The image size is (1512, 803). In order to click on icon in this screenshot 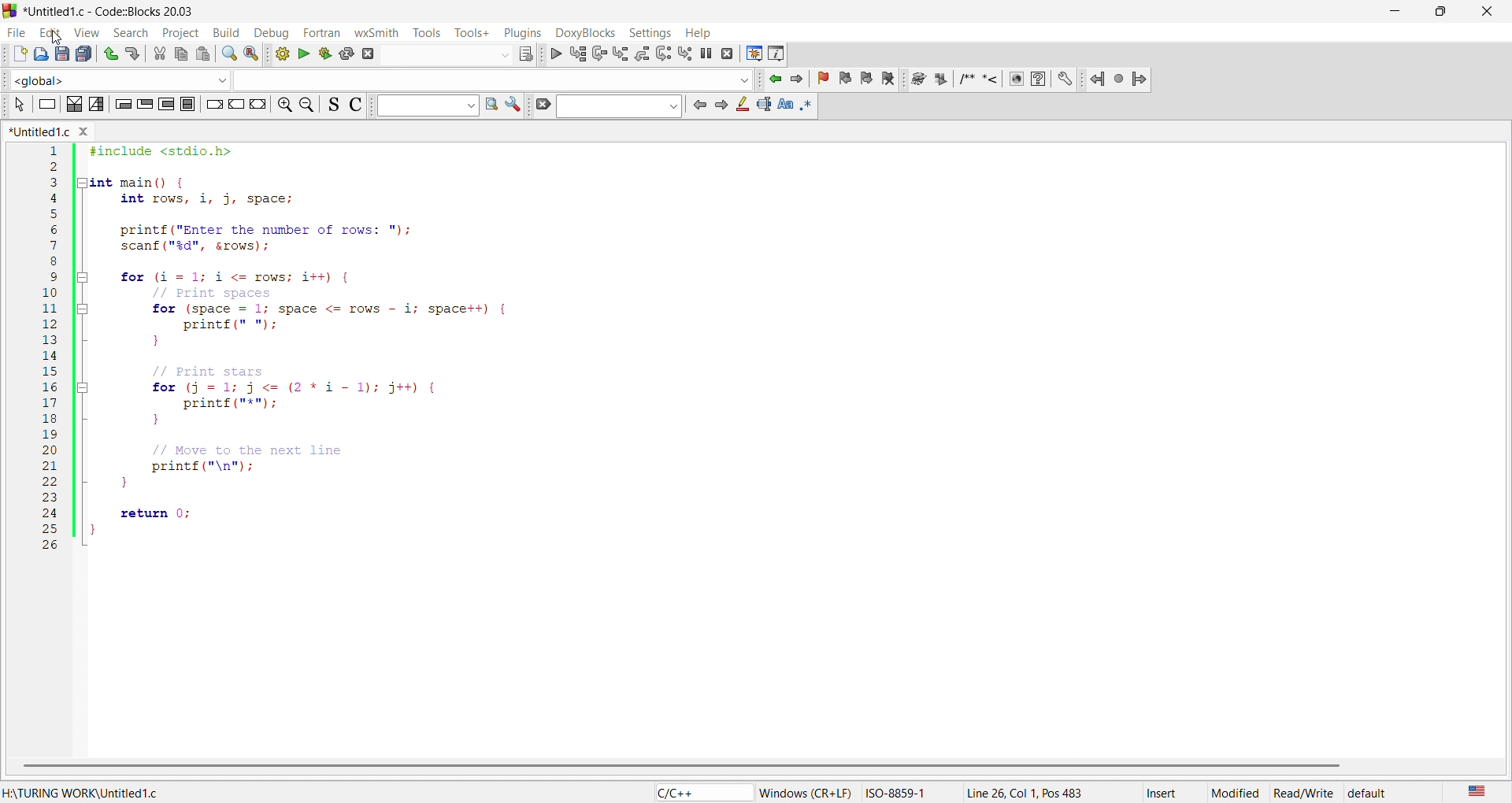, I will do `click(211, 105)`.